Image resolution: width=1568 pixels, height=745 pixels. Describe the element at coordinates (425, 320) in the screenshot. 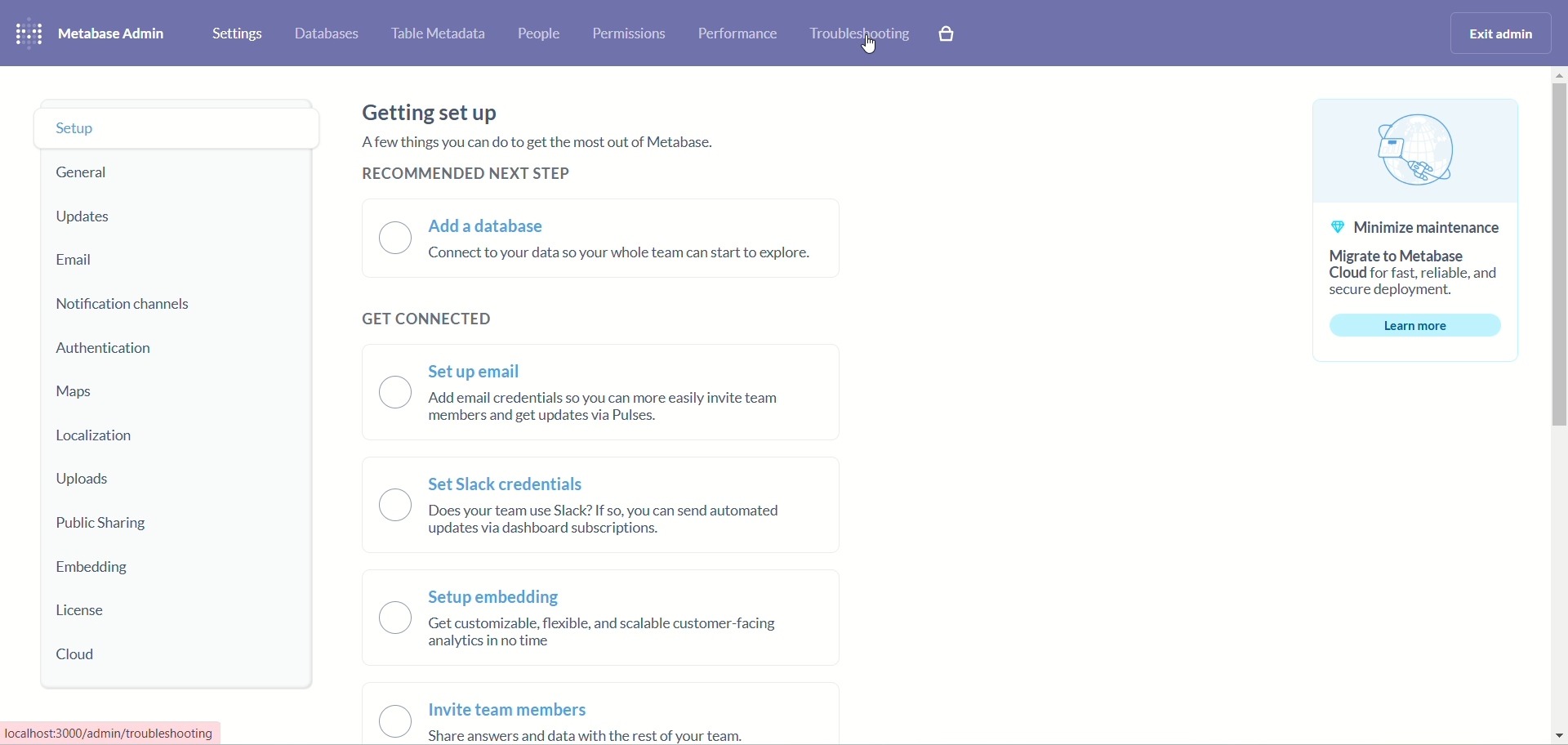

I see `get connected` at that location.